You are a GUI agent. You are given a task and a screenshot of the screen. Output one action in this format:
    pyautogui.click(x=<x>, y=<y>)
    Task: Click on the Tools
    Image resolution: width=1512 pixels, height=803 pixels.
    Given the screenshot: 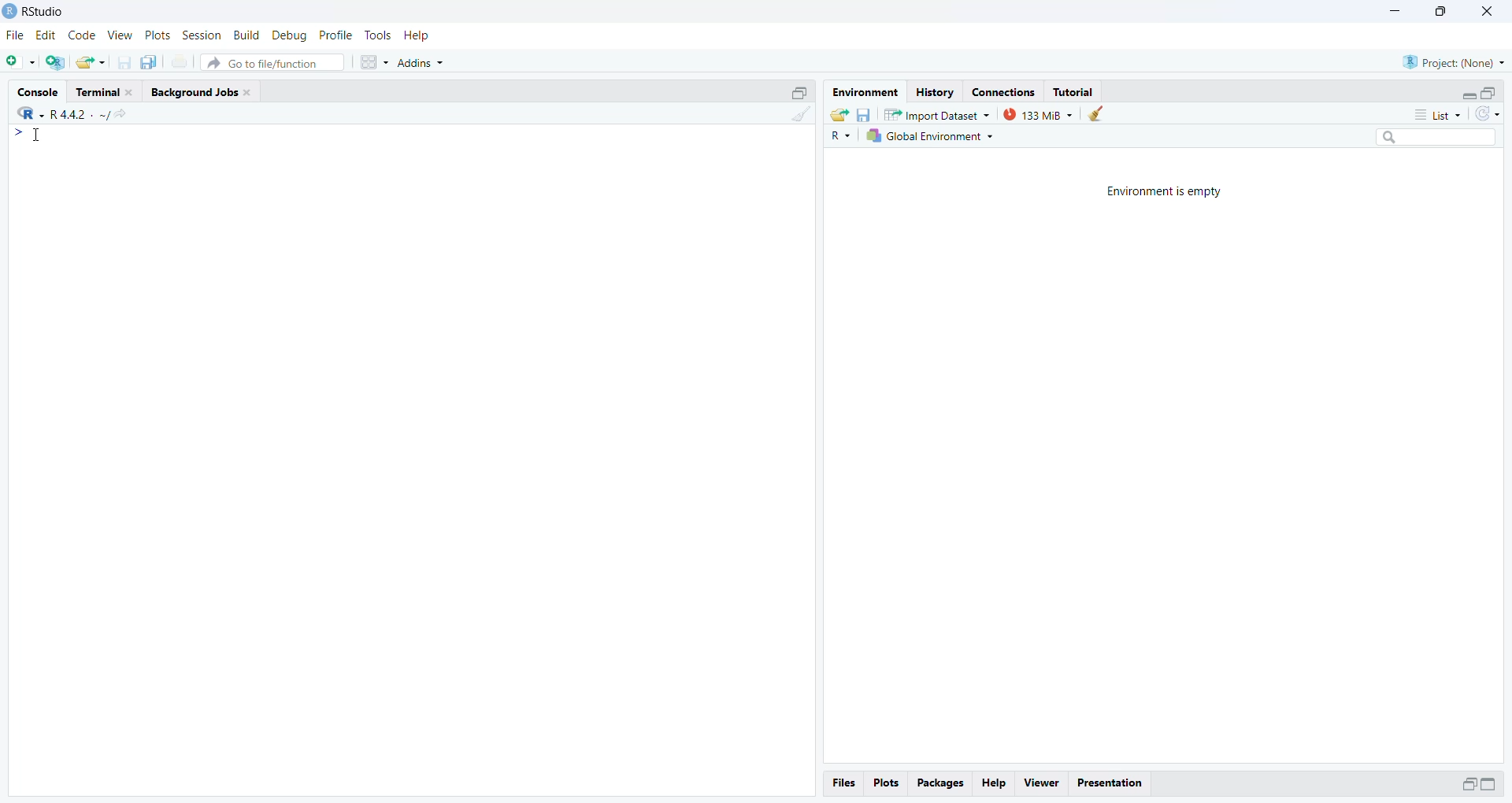 What is the action you would take?
    pyautogui.click(x=378, y=35)
    